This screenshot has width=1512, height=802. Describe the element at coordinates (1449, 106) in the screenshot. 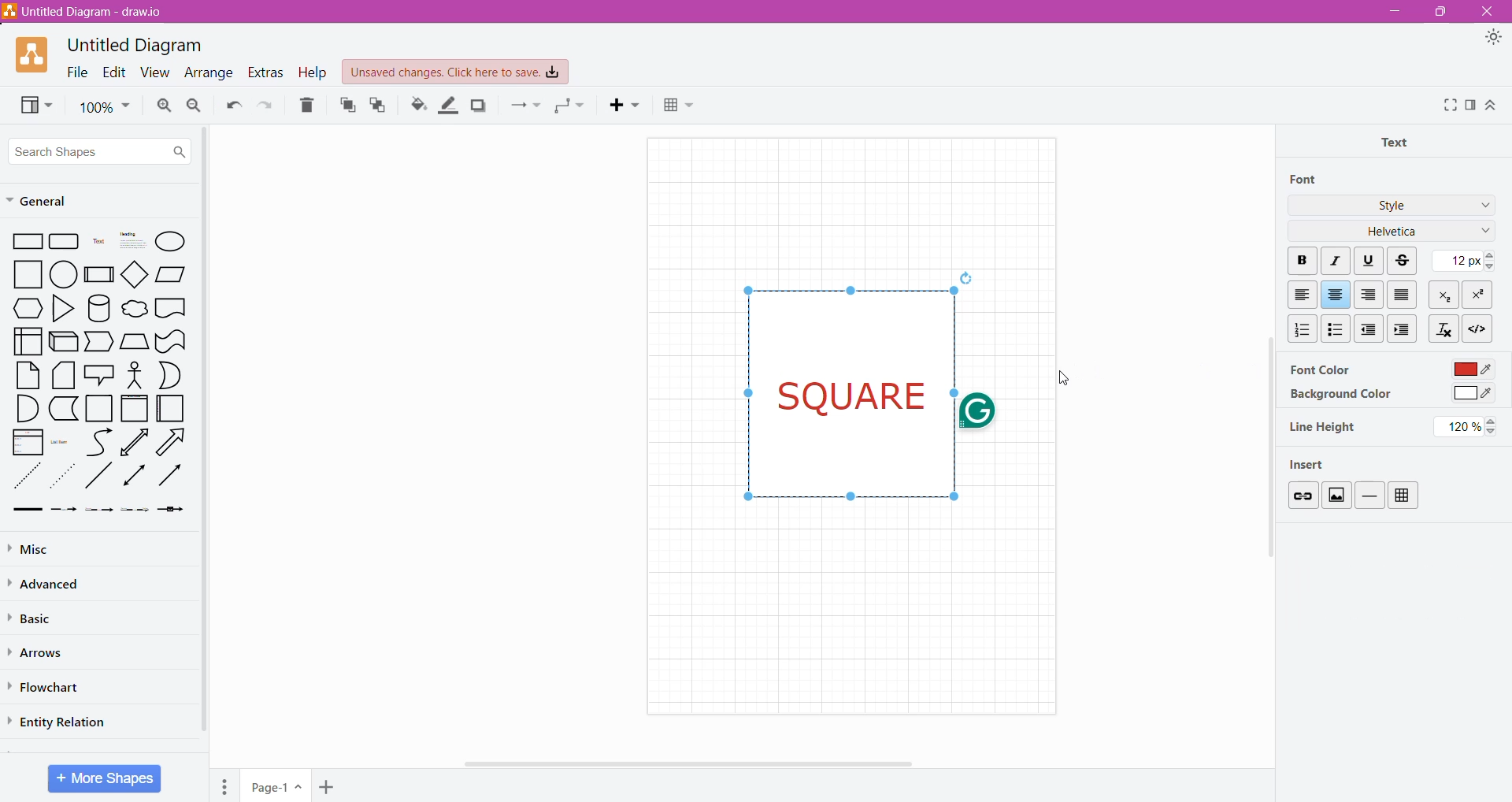

I see `Fullscreen` at that location.